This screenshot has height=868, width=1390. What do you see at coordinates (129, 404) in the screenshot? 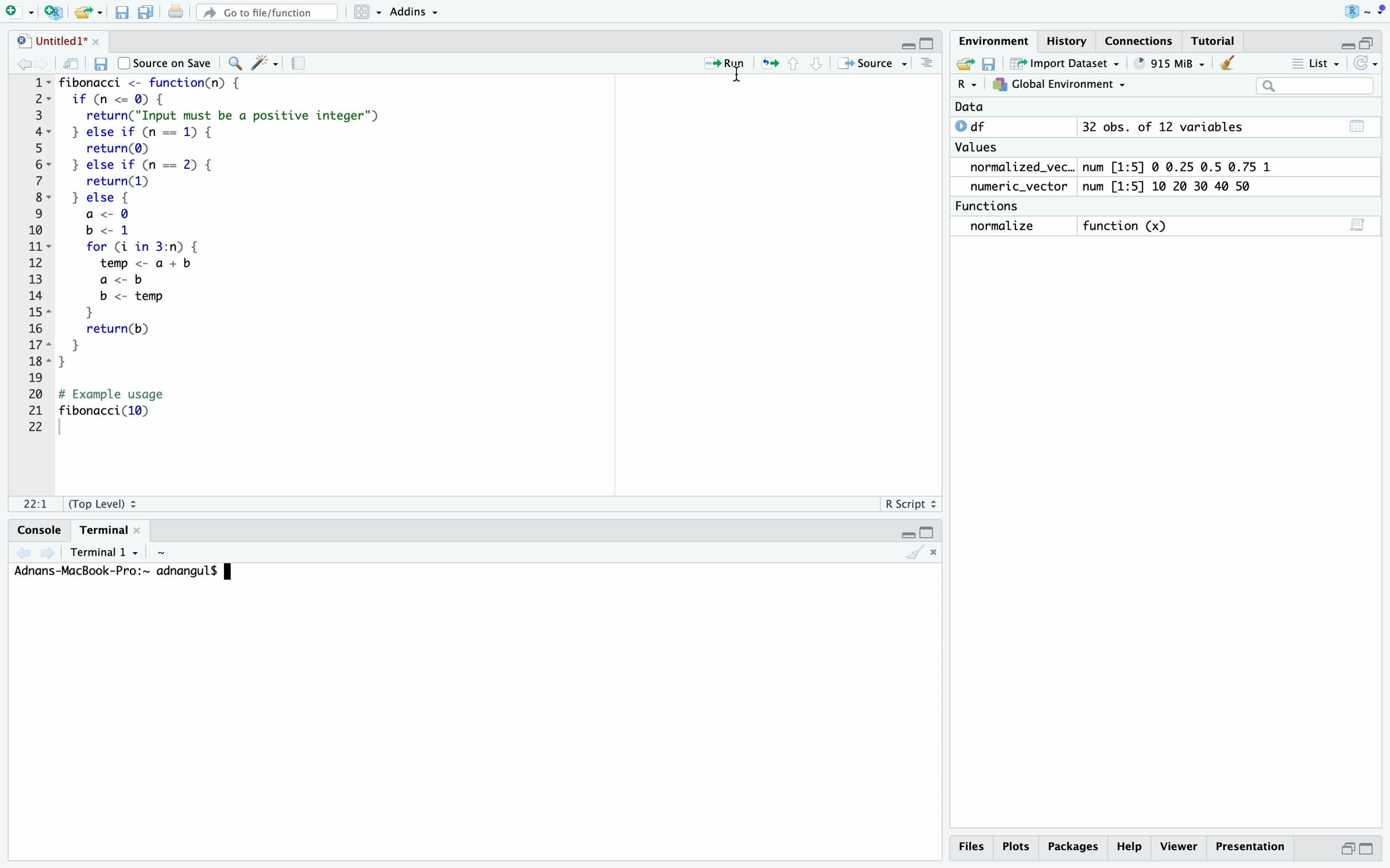
I see `print fibonacci` at bounding box center [129, 404].